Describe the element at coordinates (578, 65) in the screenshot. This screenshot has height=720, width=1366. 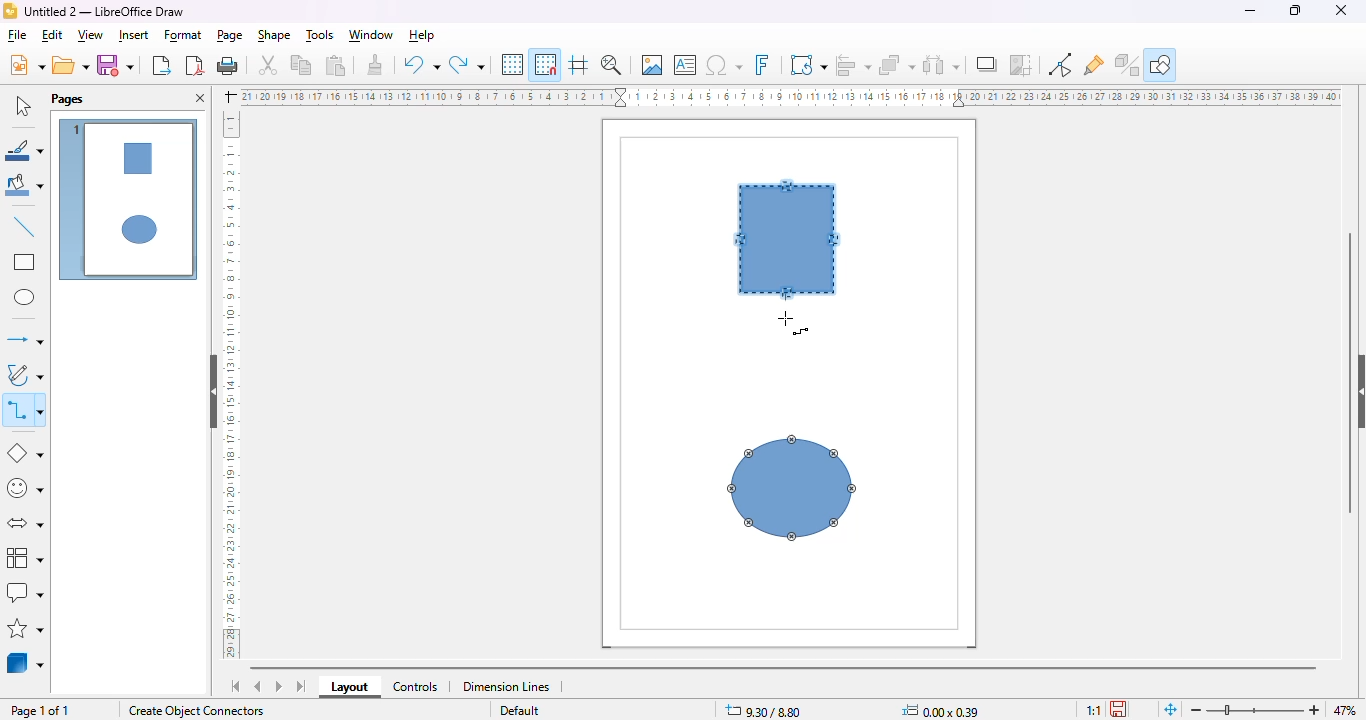
I see `helplines while moving` at that location.